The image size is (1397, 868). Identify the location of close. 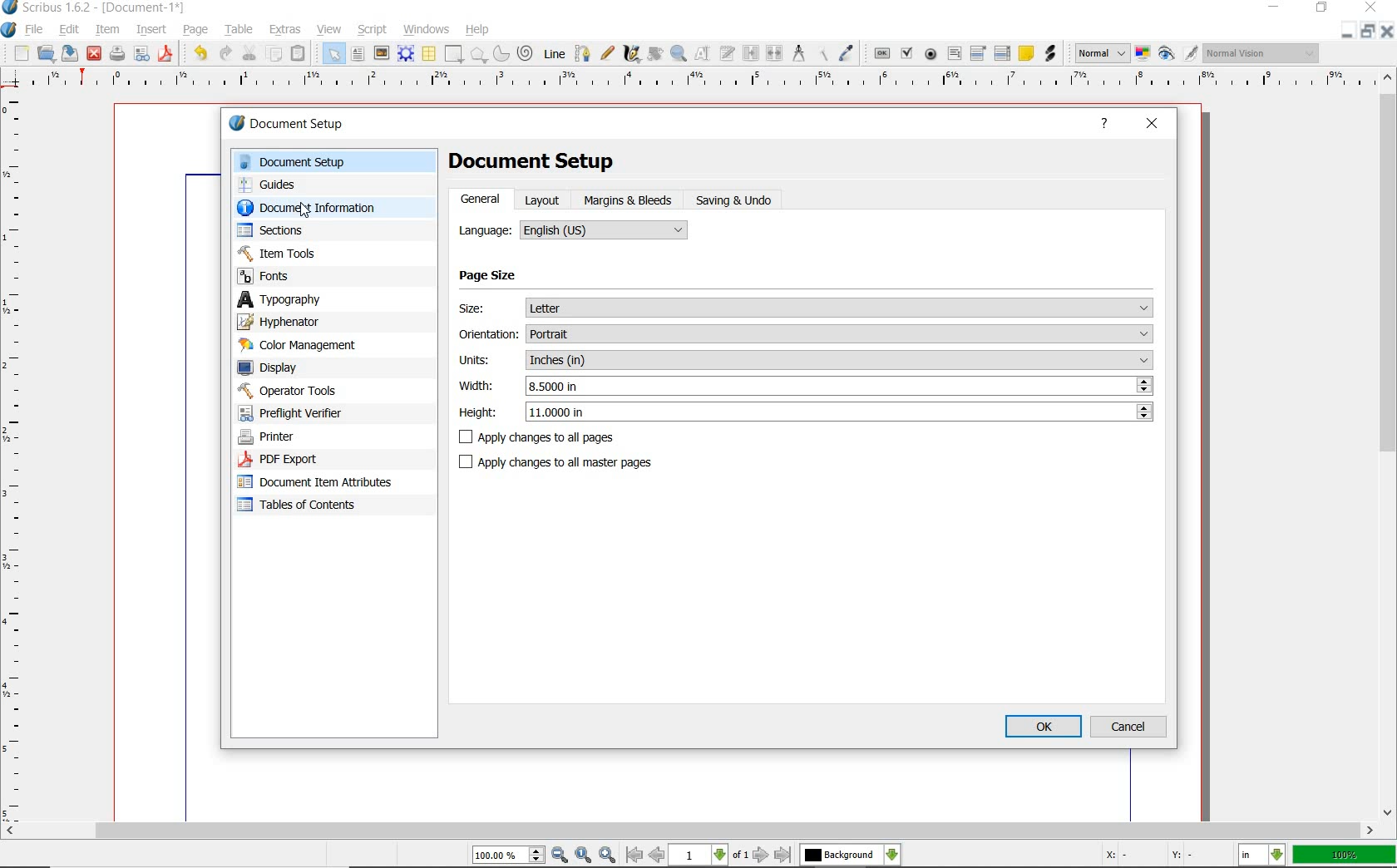
(95, 55).